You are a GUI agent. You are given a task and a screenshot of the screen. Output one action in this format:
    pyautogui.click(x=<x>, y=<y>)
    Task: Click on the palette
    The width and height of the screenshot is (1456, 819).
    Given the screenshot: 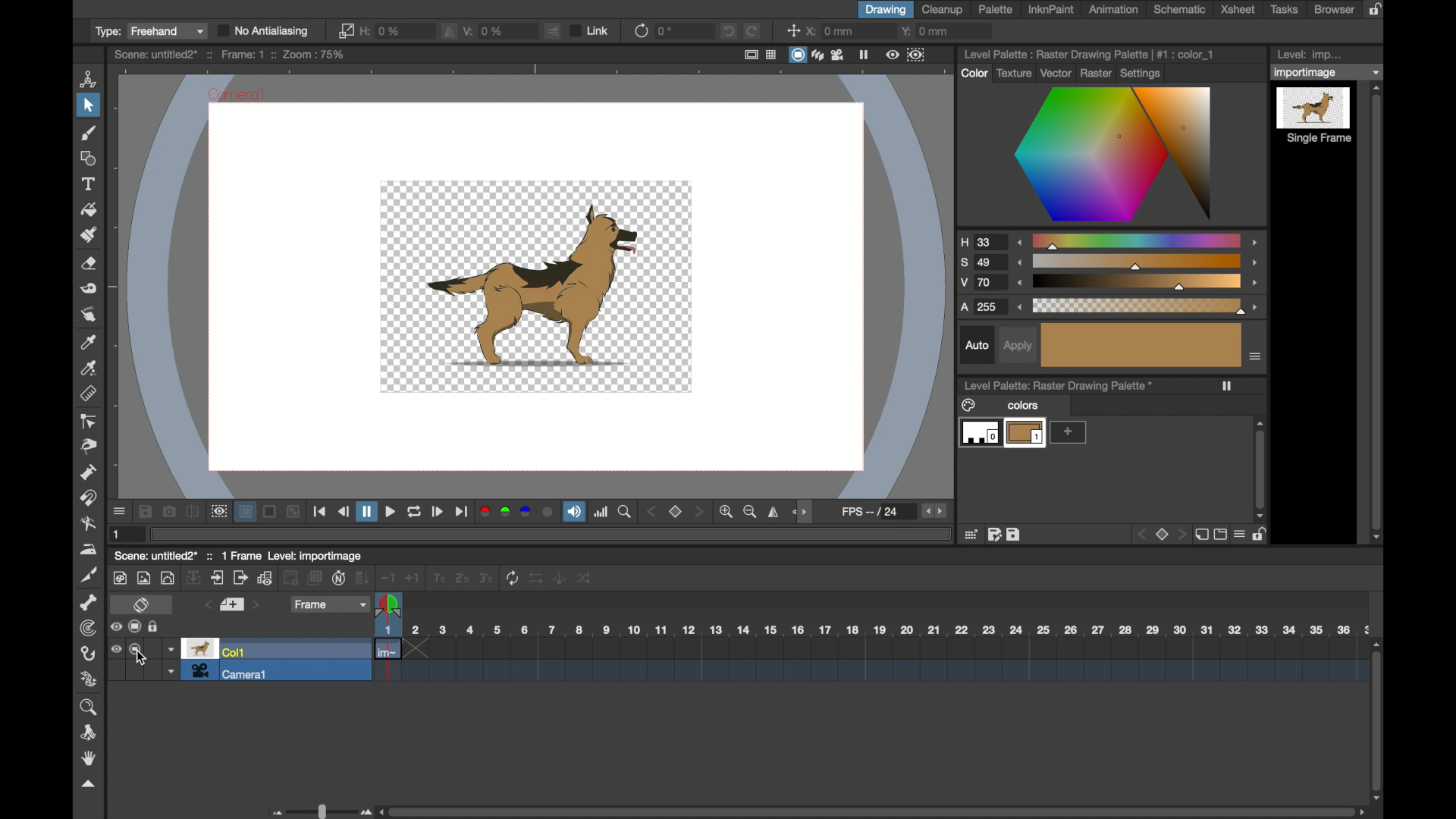 What is the action you would take?
    pyautogui.click(x=995, y=10)
    